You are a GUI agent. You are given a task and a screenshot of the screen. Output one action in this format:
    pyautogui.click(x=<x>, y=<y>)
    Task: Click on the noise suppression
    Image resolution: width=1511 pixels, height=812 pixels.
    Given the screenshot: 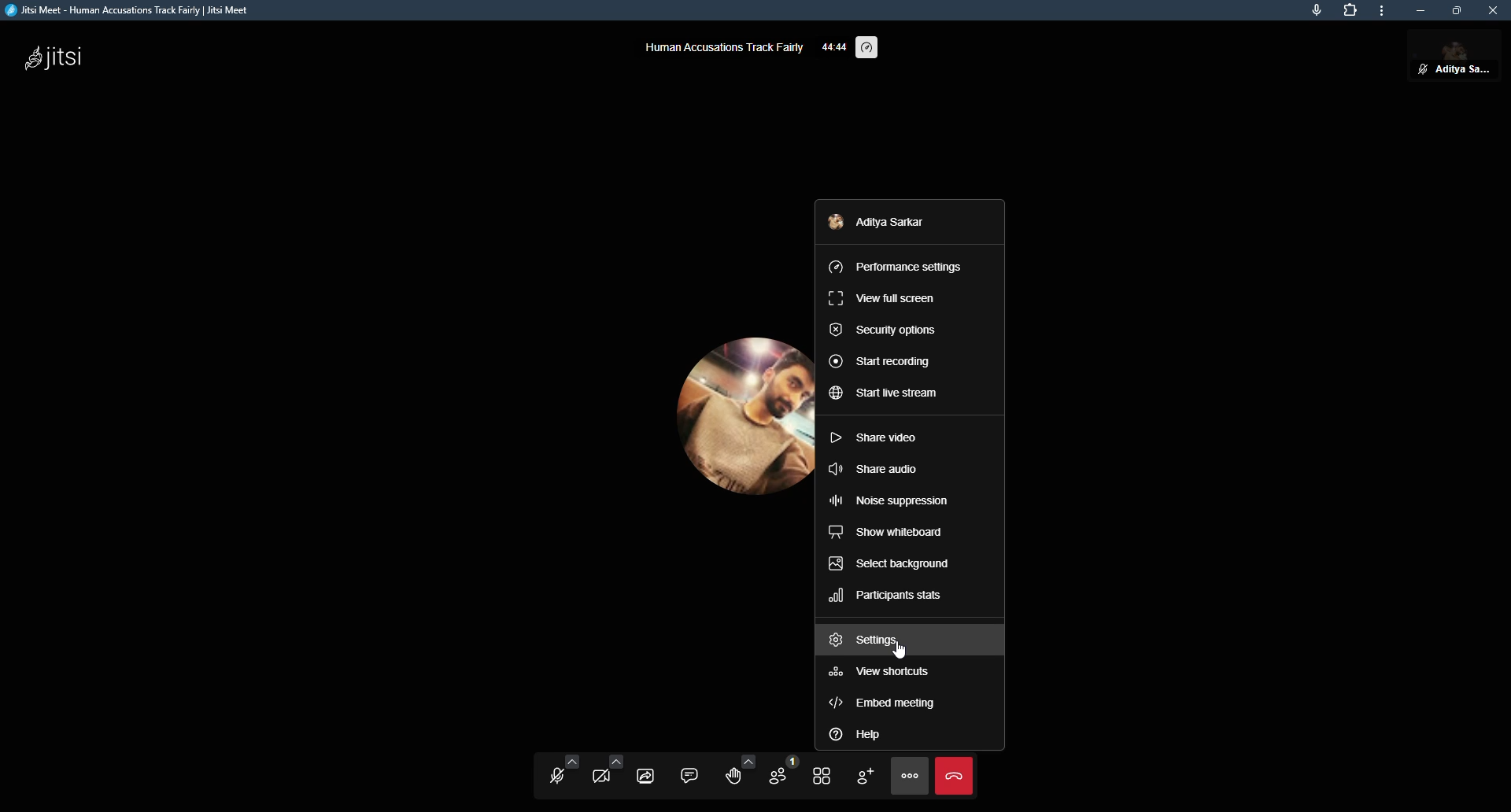 What is the action you would take?
    pyautogui.click(x=888, y=501)
    